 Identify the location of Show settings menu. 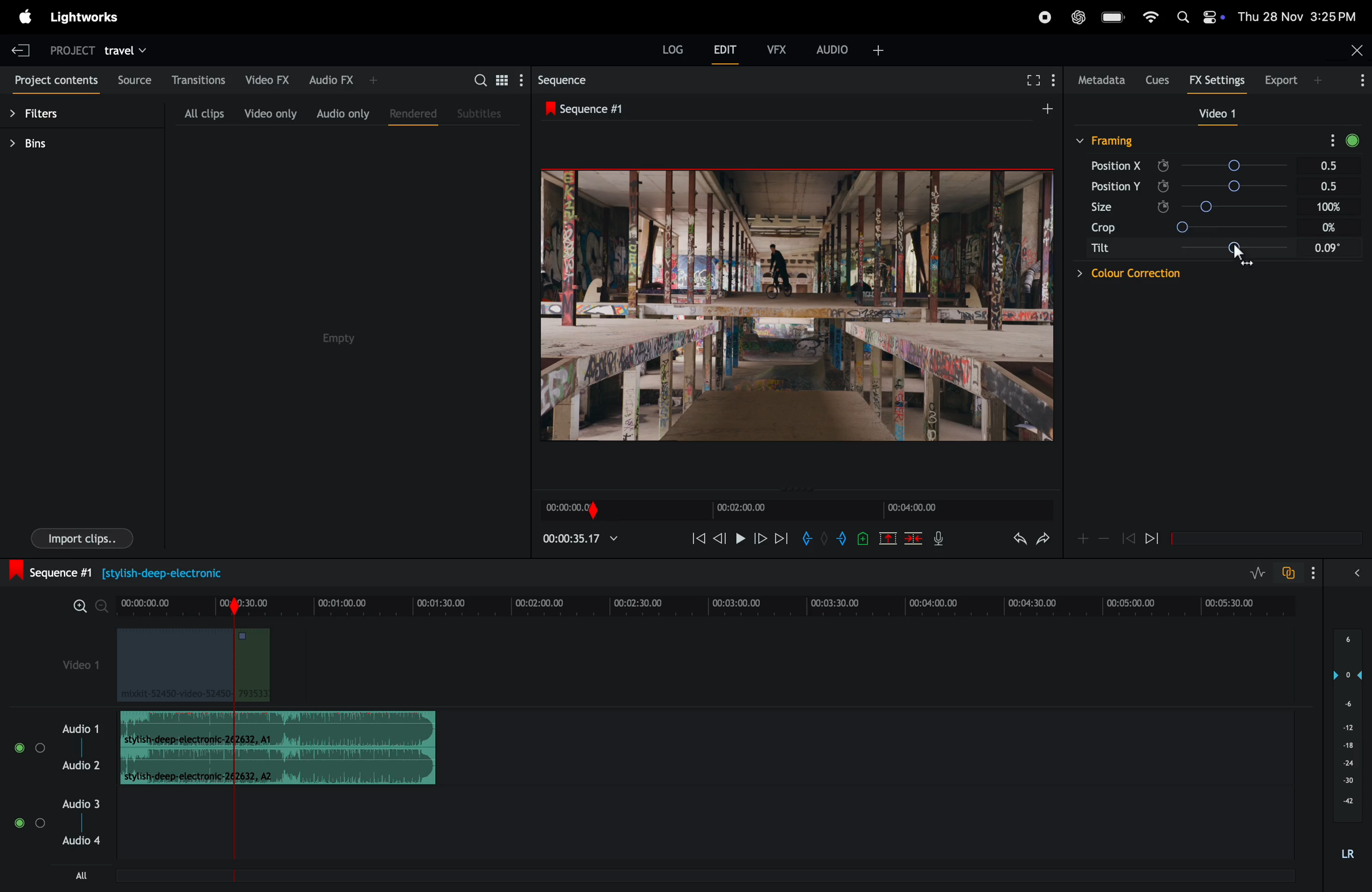
(1317, 571).